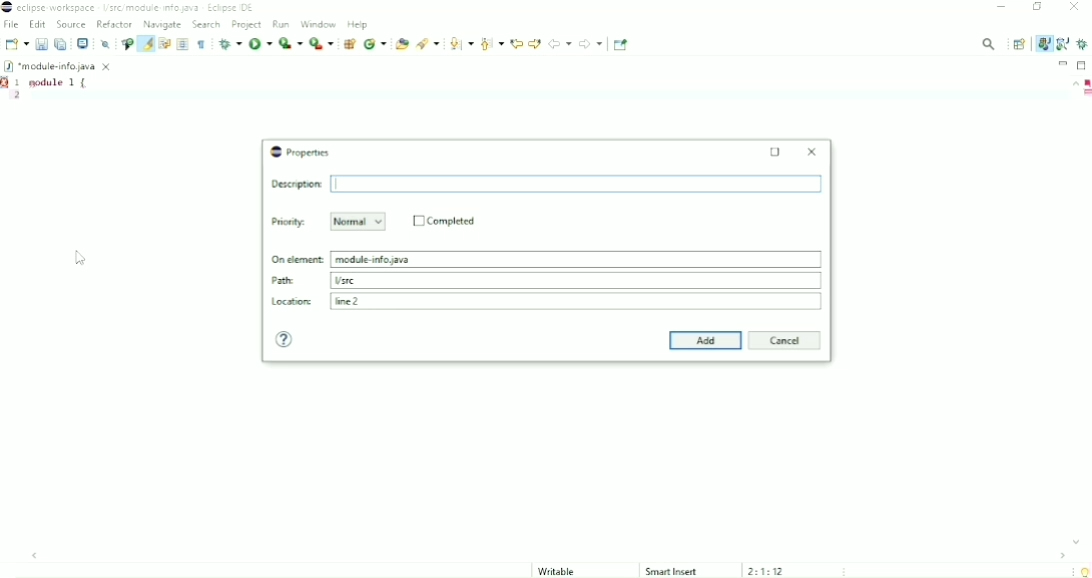  I want to click on Toggle word wrap, so click(164, 44).